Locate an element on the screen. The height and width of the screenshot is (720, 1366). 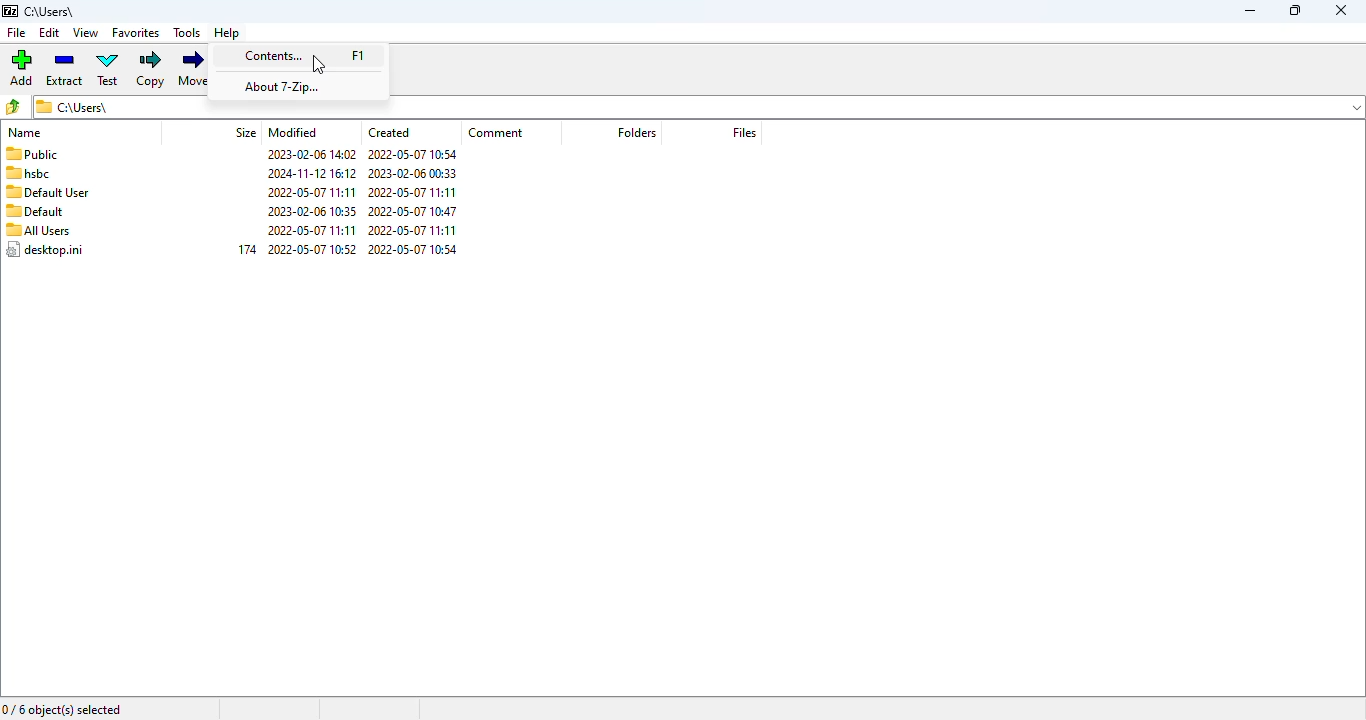
cursor is located at coordinates (319, 64).